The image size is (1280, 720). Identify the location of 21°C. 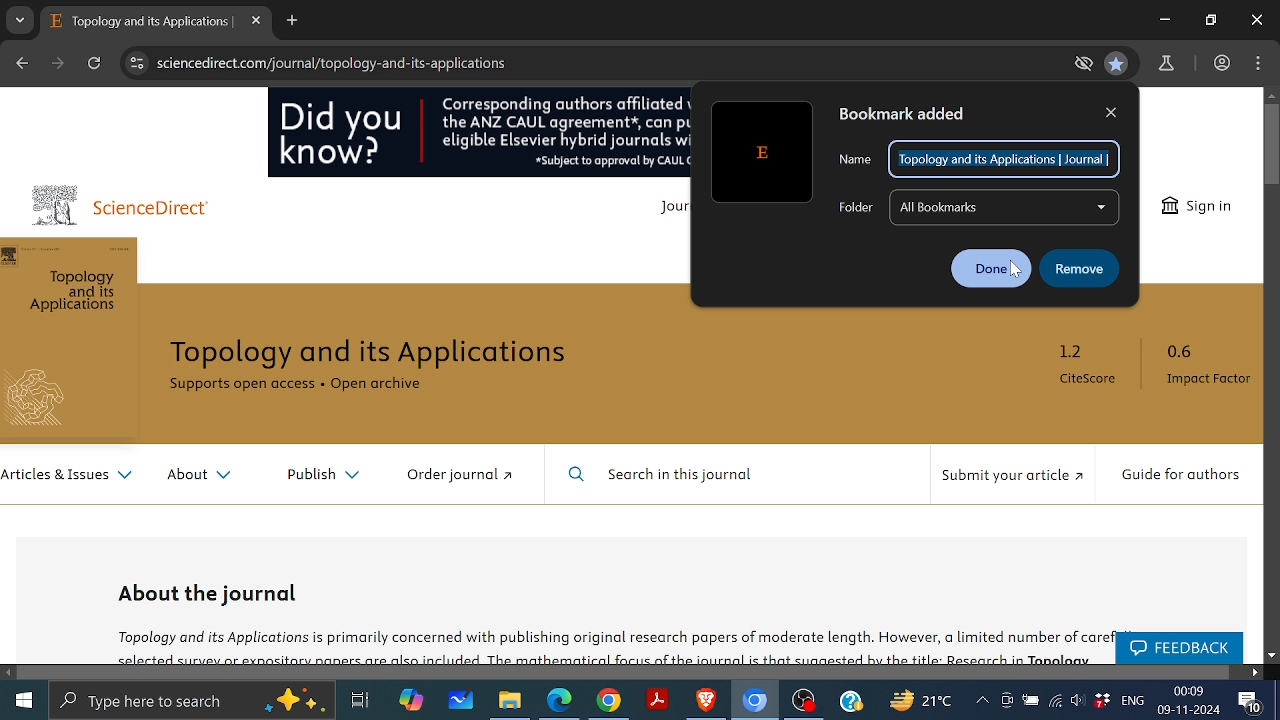
(926, 700).